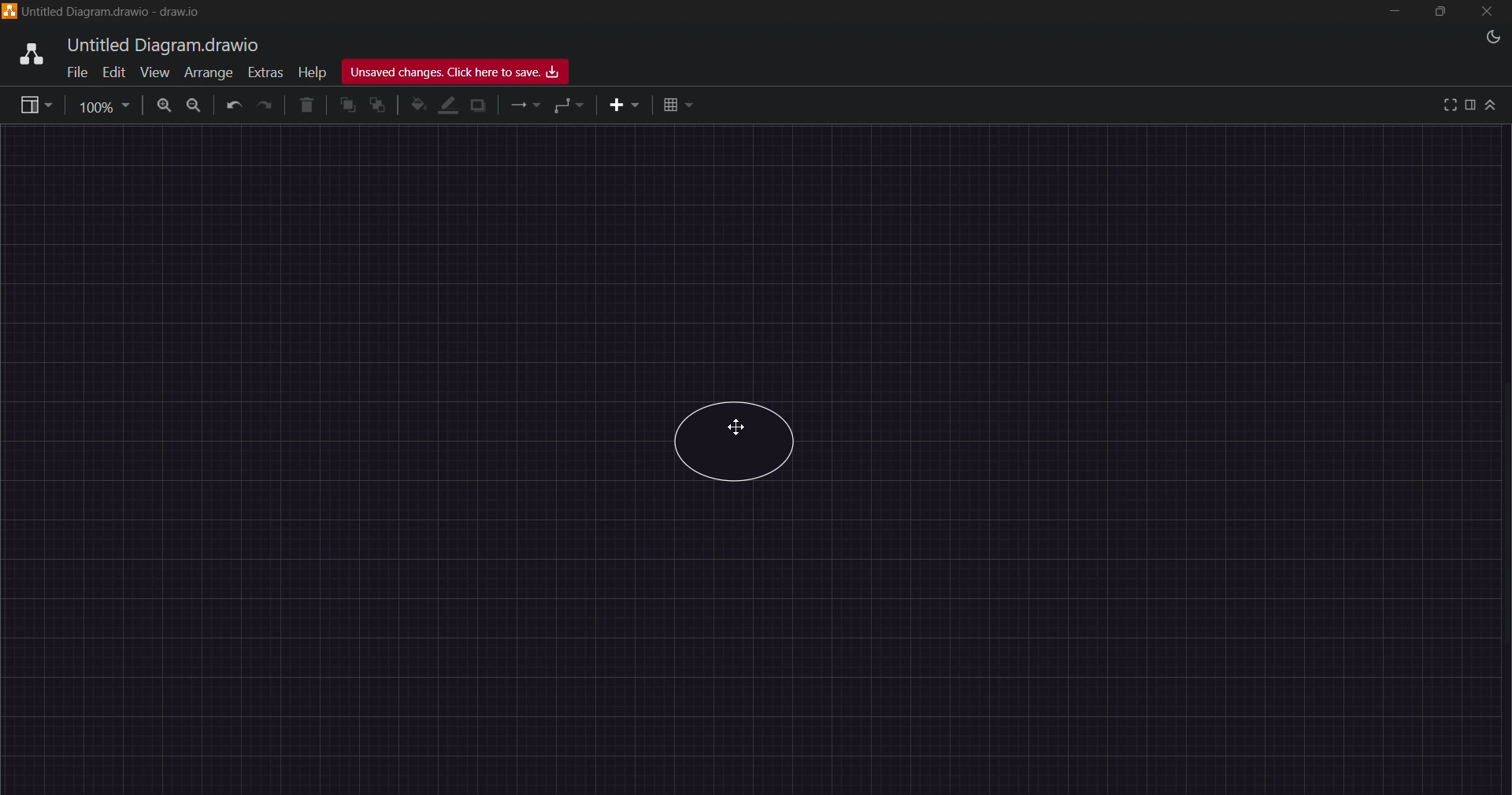  What do you see at coordinates (1447, 105) in the screenshot?
I see `full screen` at bounding box center [1447, 105].